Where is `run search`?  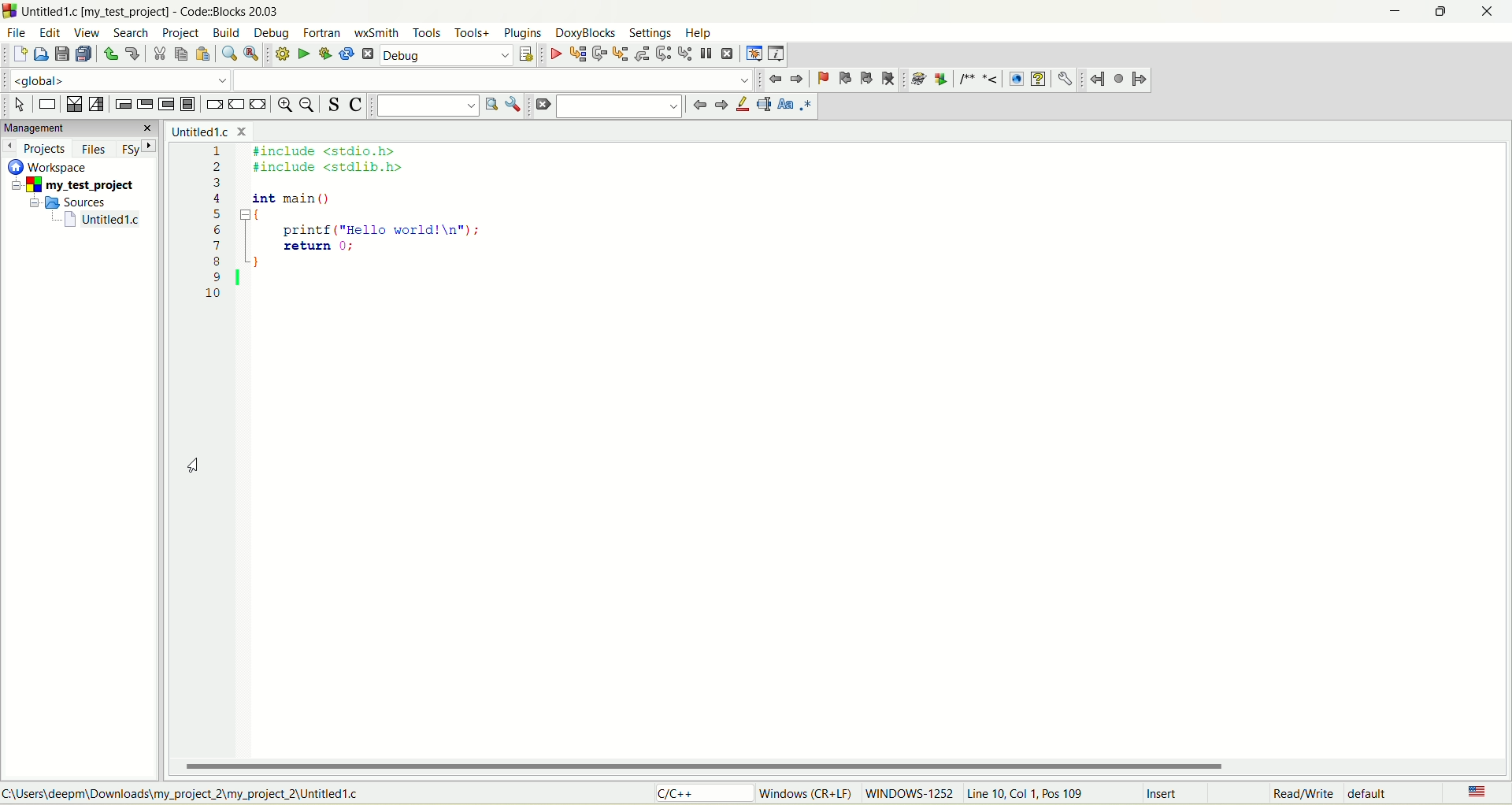
run search is located at coordinates (490, 106).